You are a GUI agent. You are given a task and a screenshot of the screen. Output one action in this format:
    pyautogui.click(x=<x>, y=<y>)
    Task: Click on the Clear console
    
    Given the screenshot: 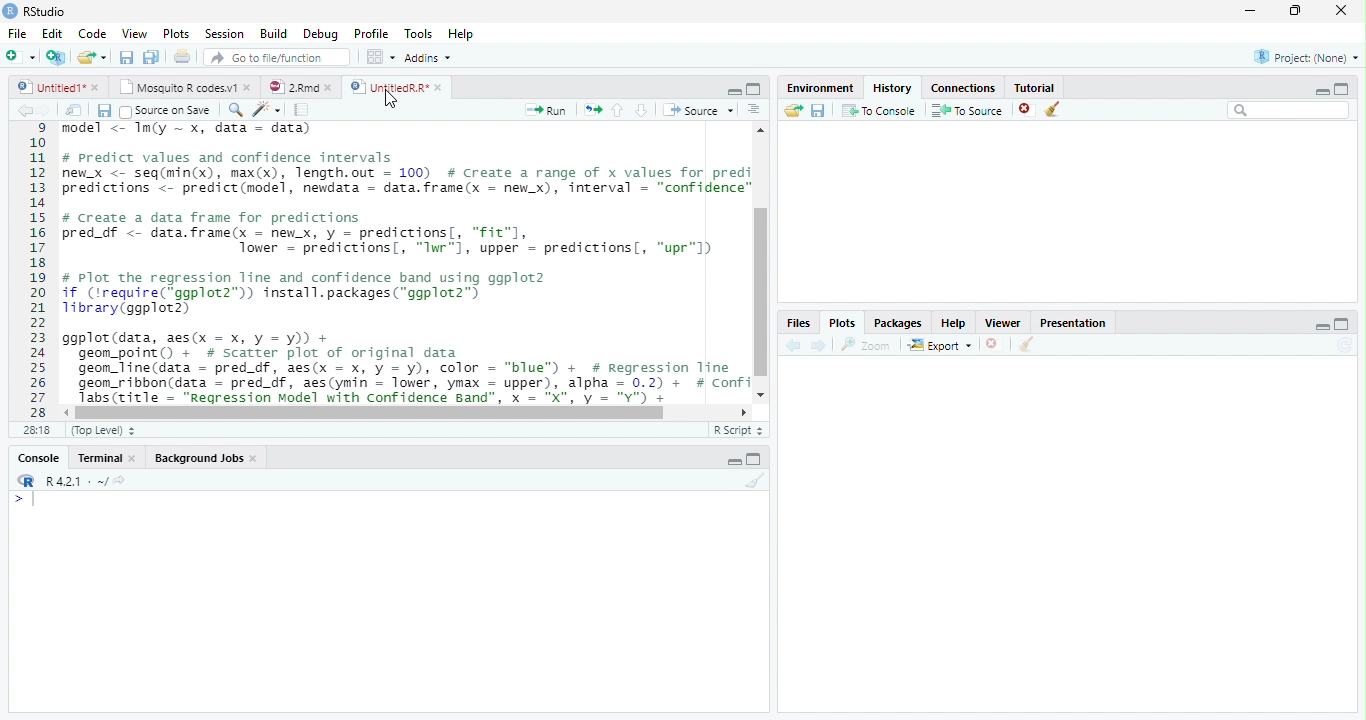 What is the action you would take?
    pyautogui.click(x=756, y=481)
    